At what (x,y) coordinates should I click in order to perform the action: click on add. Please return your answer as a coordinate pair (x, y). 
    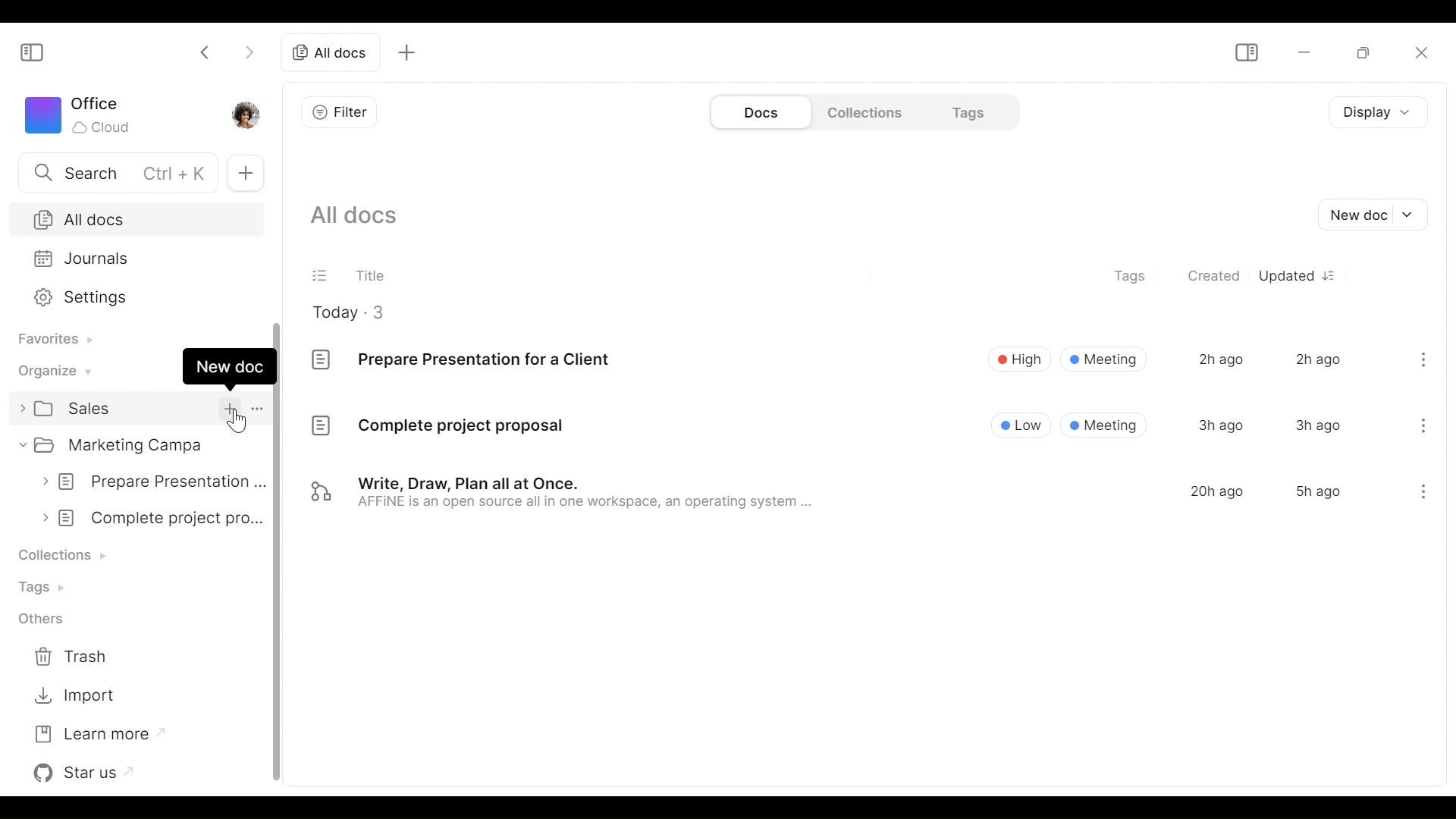
    Looking at the image, I should click on (228, 408).